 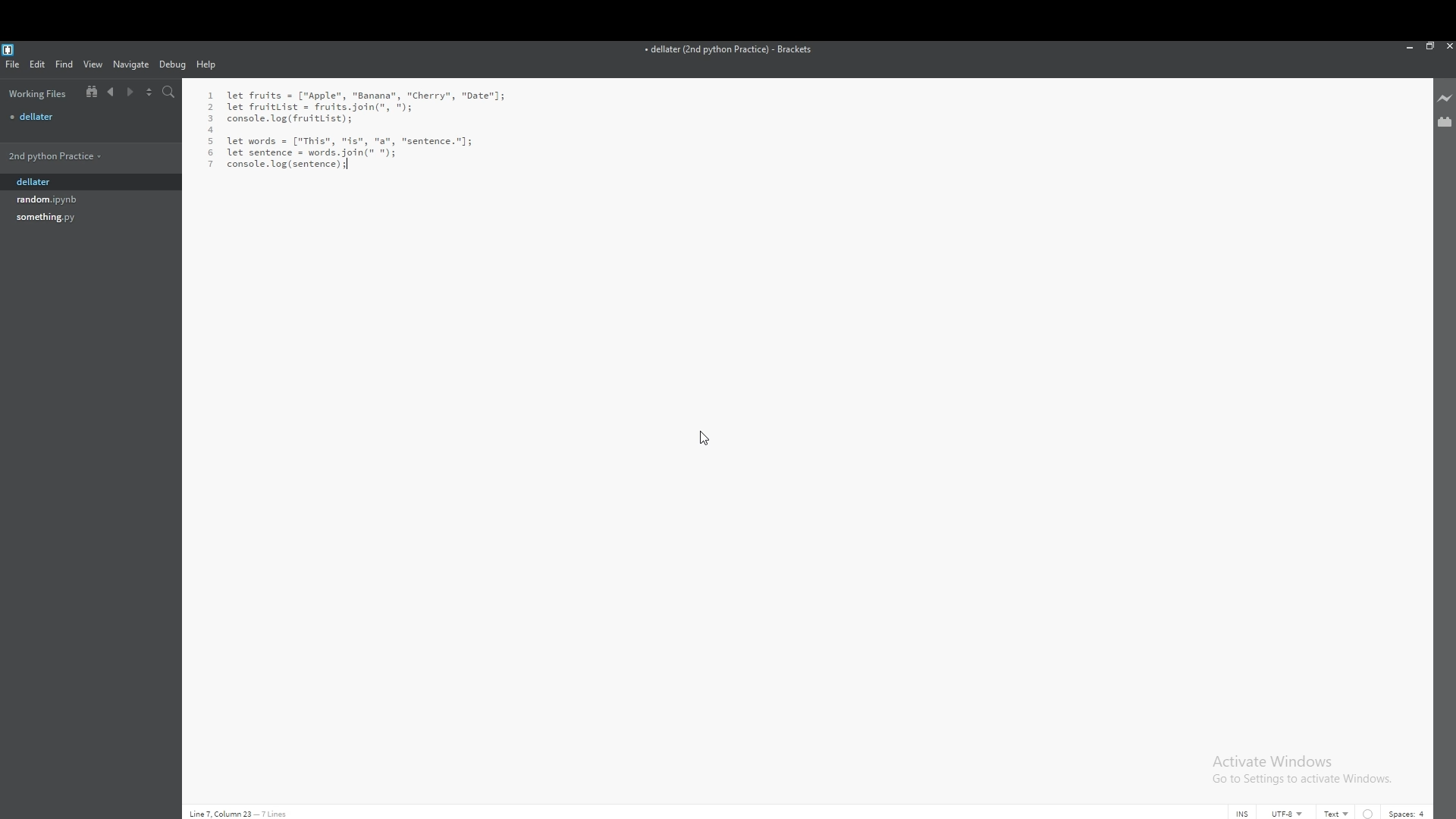 I want to click on close, so click(x=1447, y=46).